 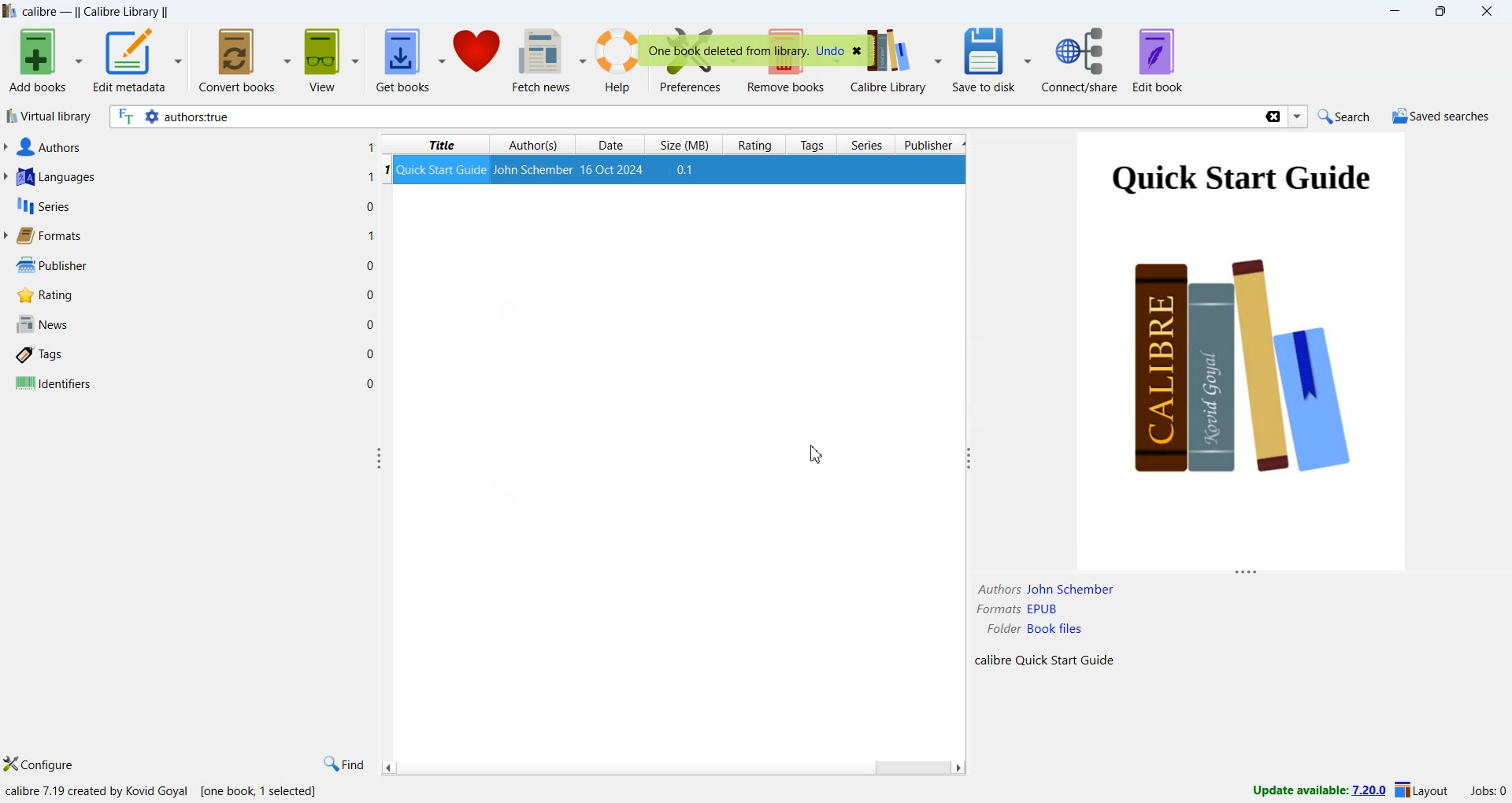 What do you see at coordinates (814, 455) in the screenshot?
I see `Cursor` at bounding box center [814, 455].